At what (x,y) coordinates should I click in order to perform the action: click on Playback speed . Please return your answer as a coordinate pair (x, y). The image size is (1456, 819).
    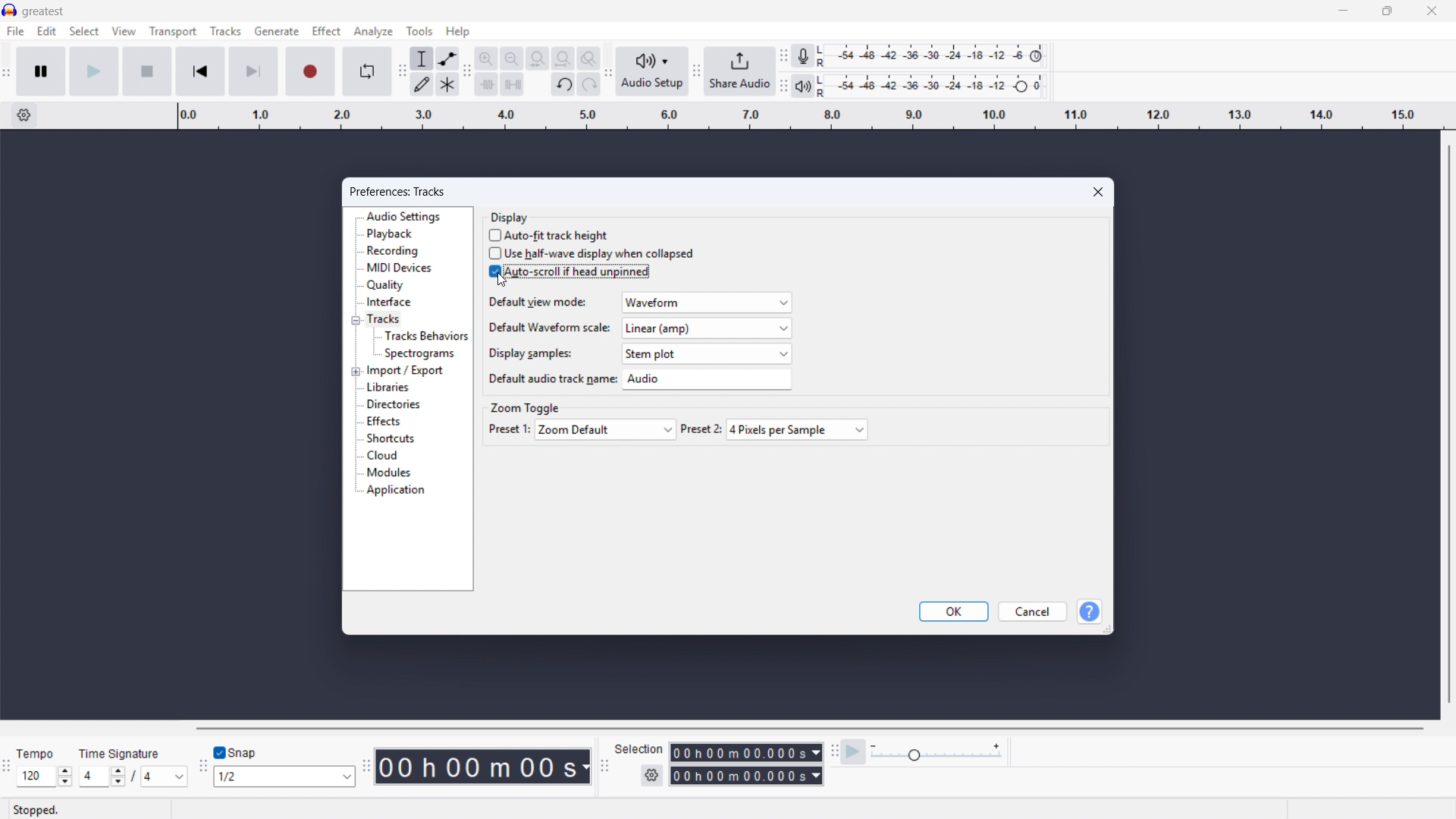
    Looking at the image, I should click on (937, 752).